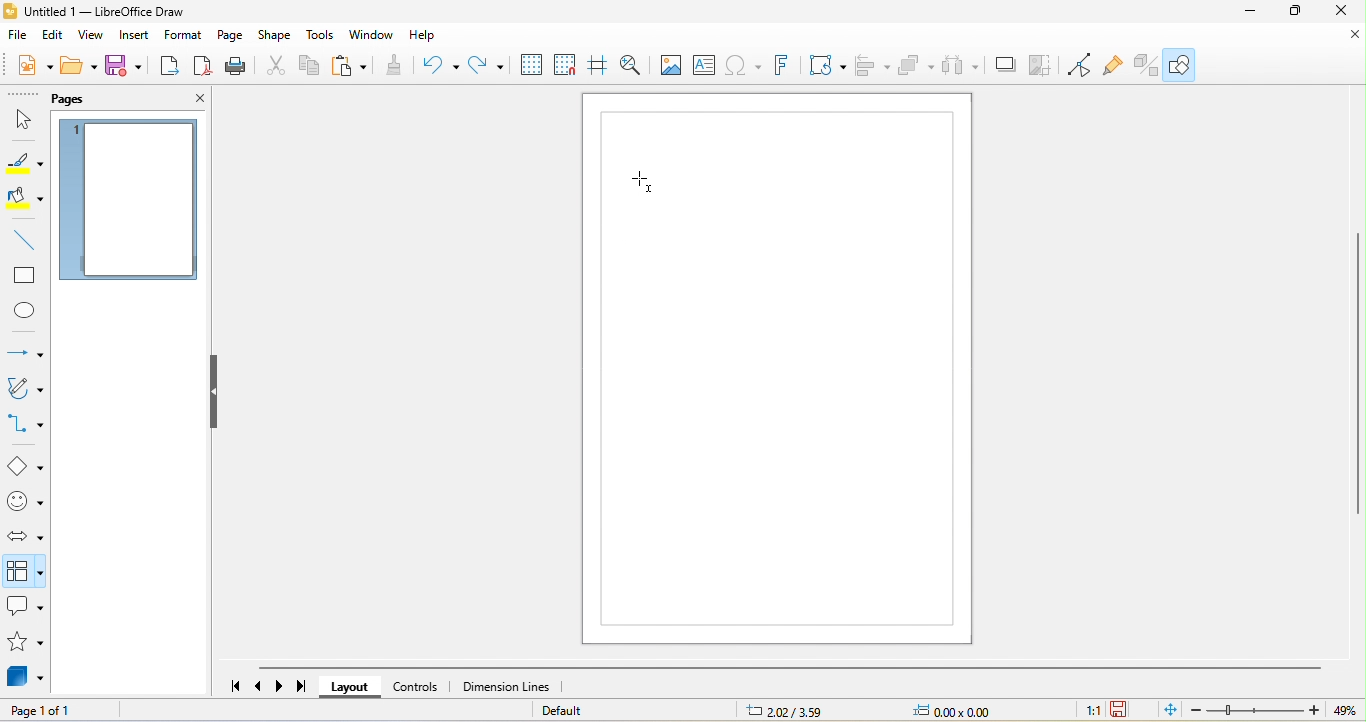  What do you see at coordinates (533, 66) in the screenshot?
I see `display grid` at bounding box center [533, 66].